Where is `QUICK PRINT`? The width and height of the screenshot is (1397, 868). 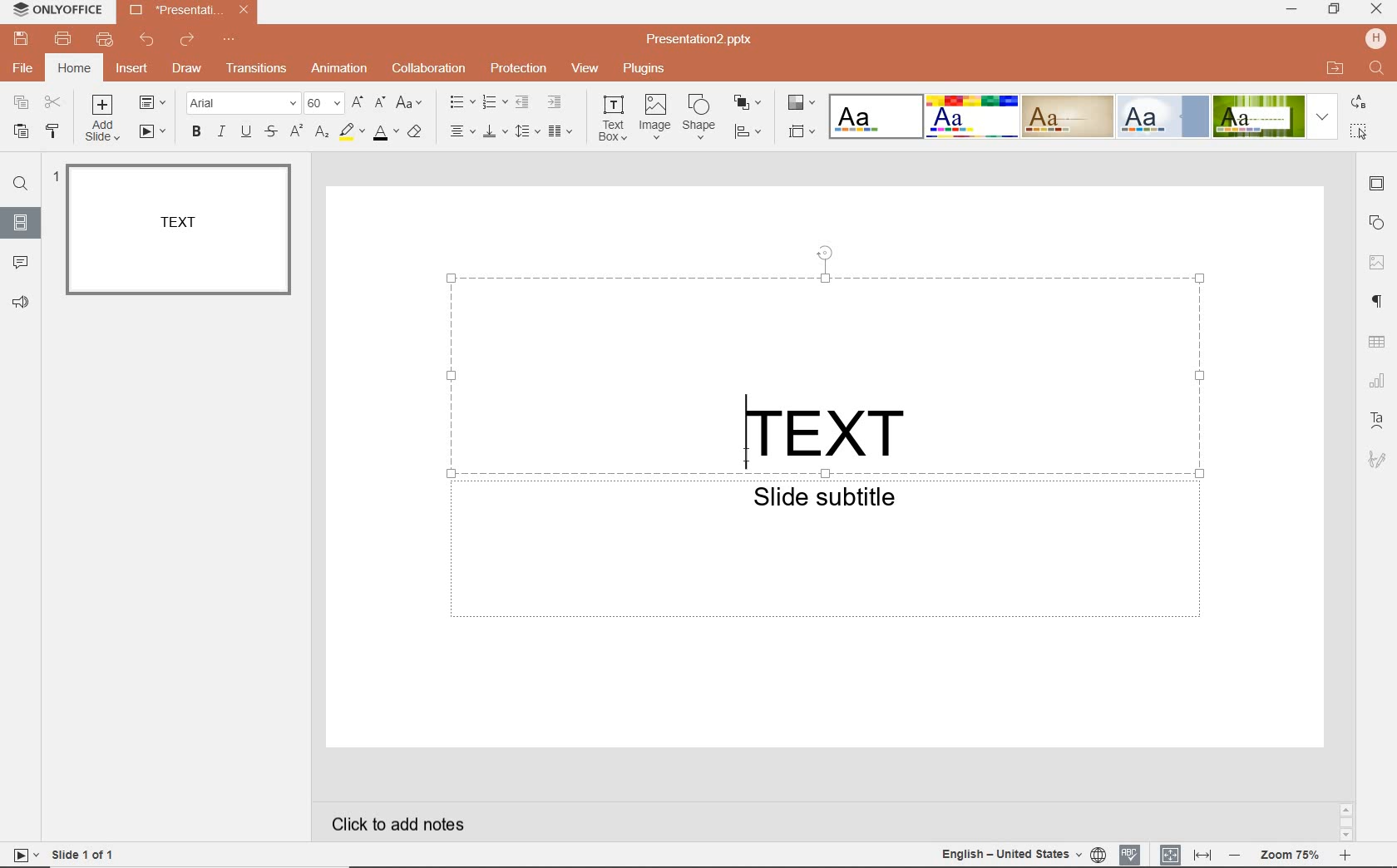
QUICK PRINT is located at coordinates (104, 41).